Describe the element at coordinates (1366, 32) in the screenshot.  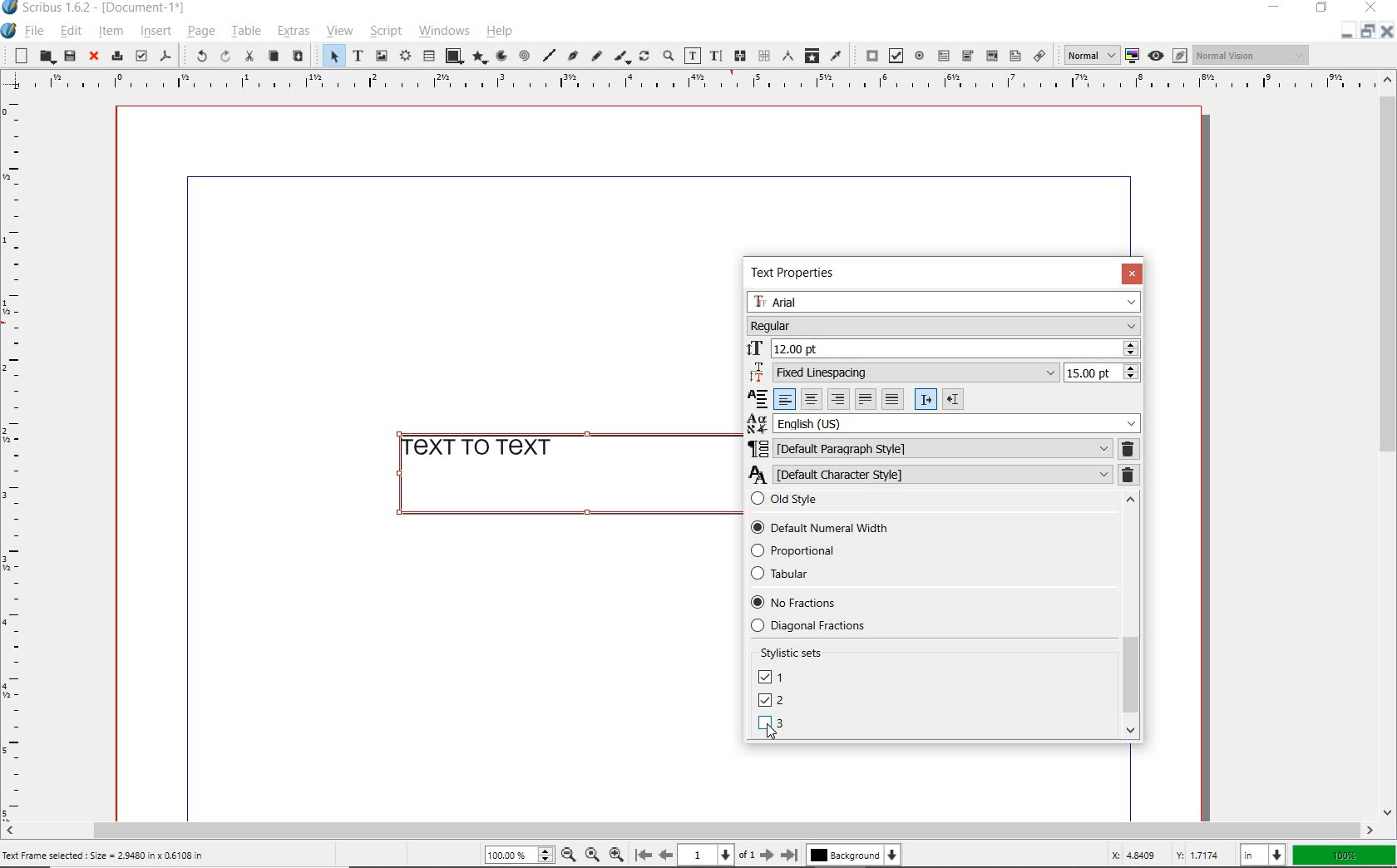
I see `Minimize` at that location.